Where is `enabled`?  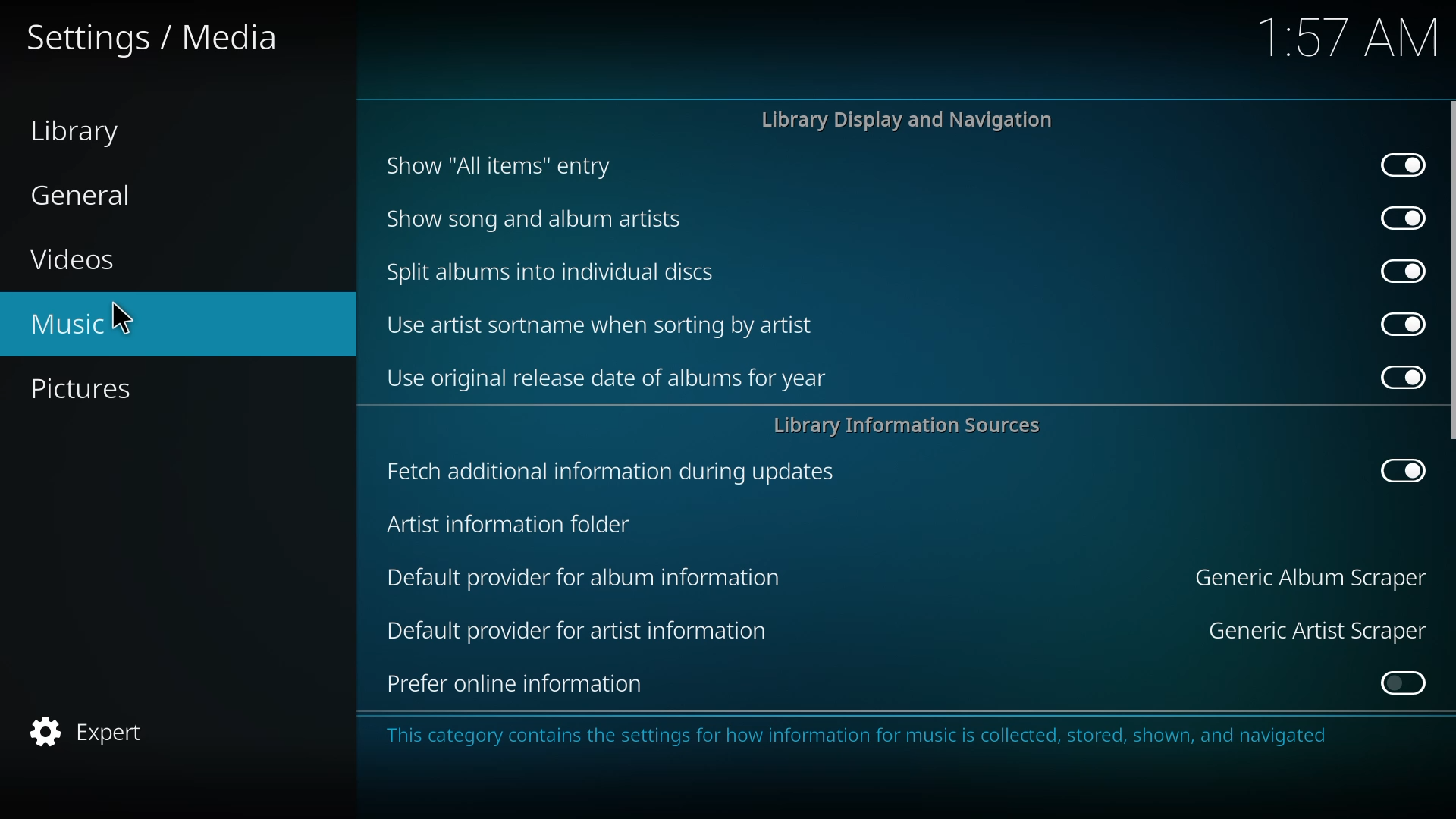
enabled is located at coordinates (1402, 165).